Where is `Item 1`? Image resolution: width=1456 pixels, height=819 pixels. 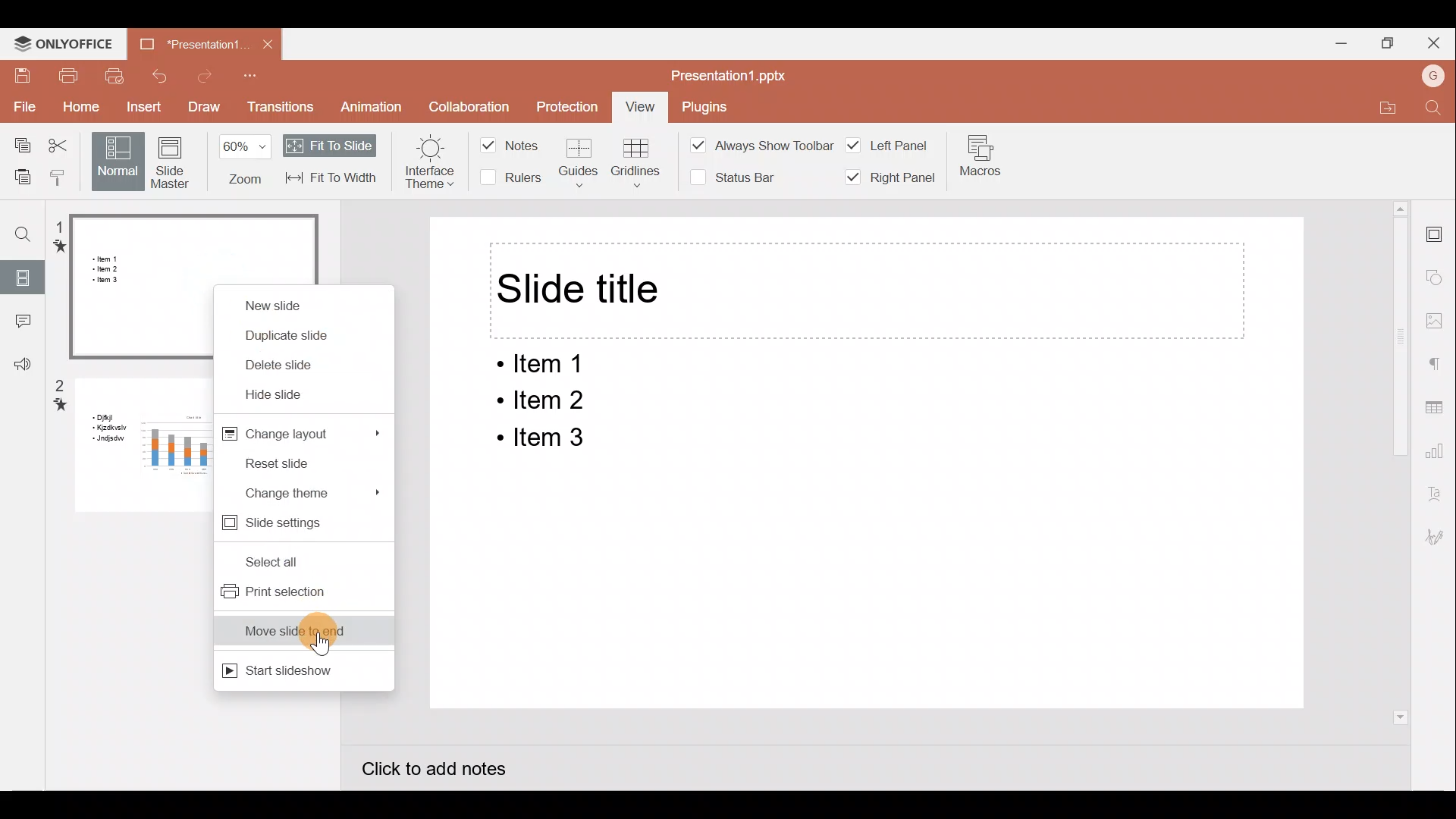 Item 1 is located at coordinates (547, 366).